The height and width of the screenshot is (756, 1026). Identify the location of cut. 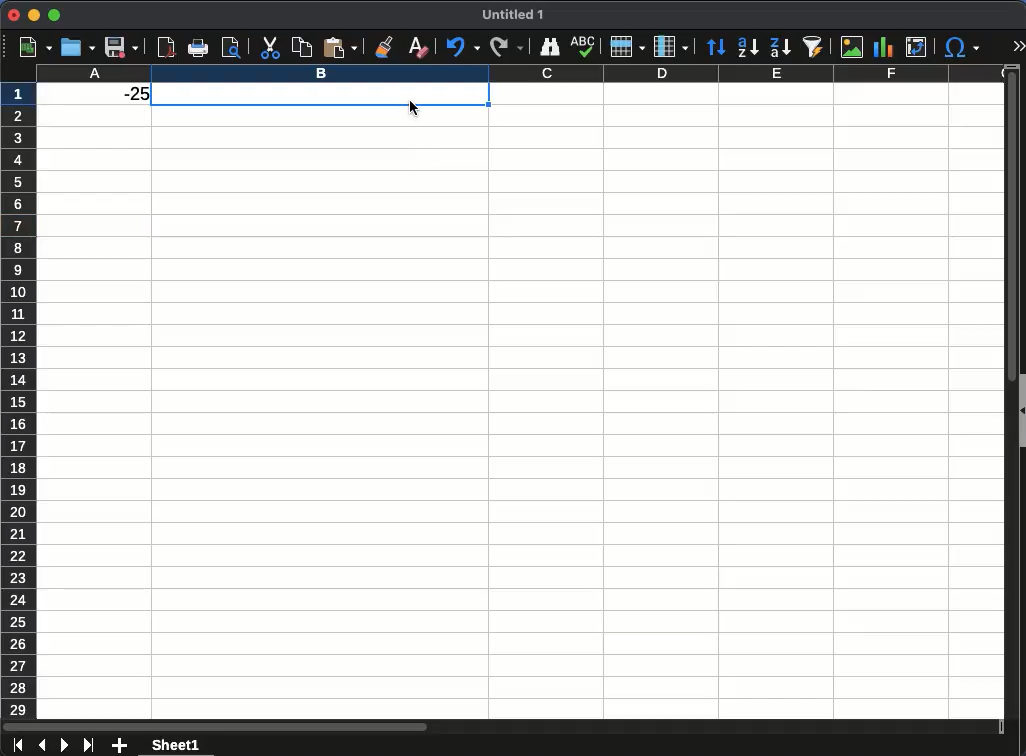
(269, 47).